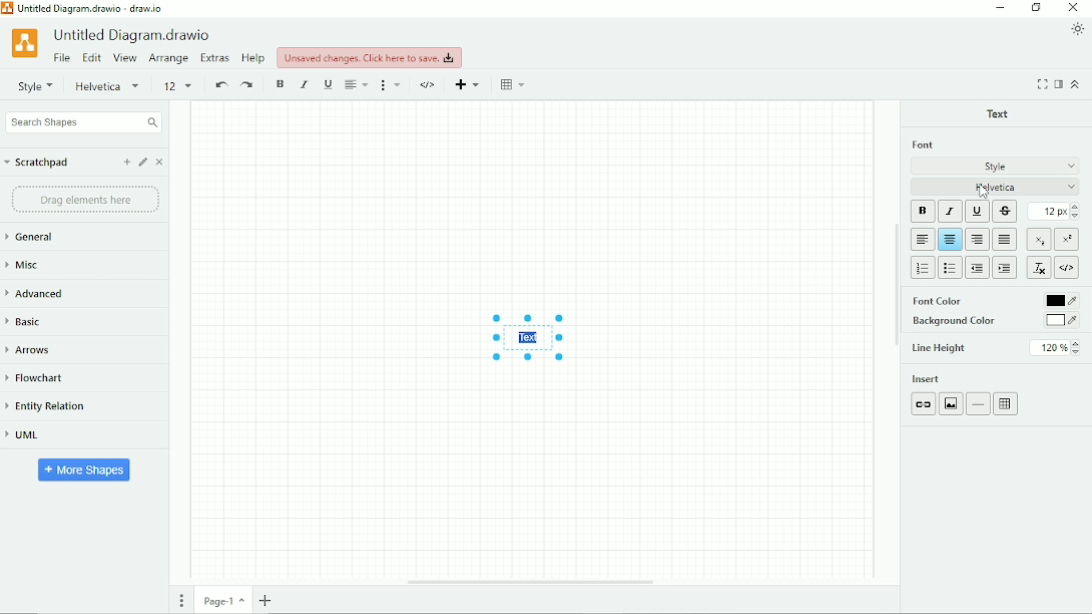  I want to click on UML, so click(25, 435).